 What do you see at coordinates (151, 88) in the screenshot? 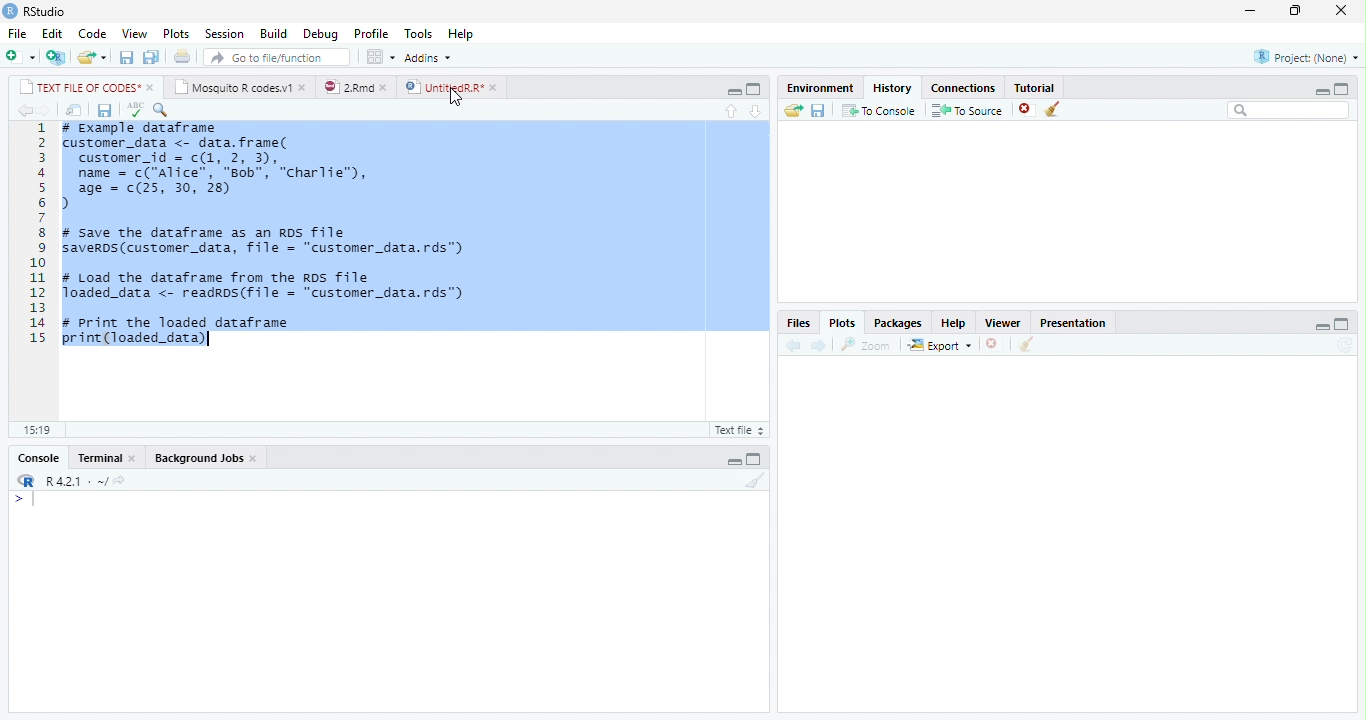
I see `close` at bounding box center [151, 88].